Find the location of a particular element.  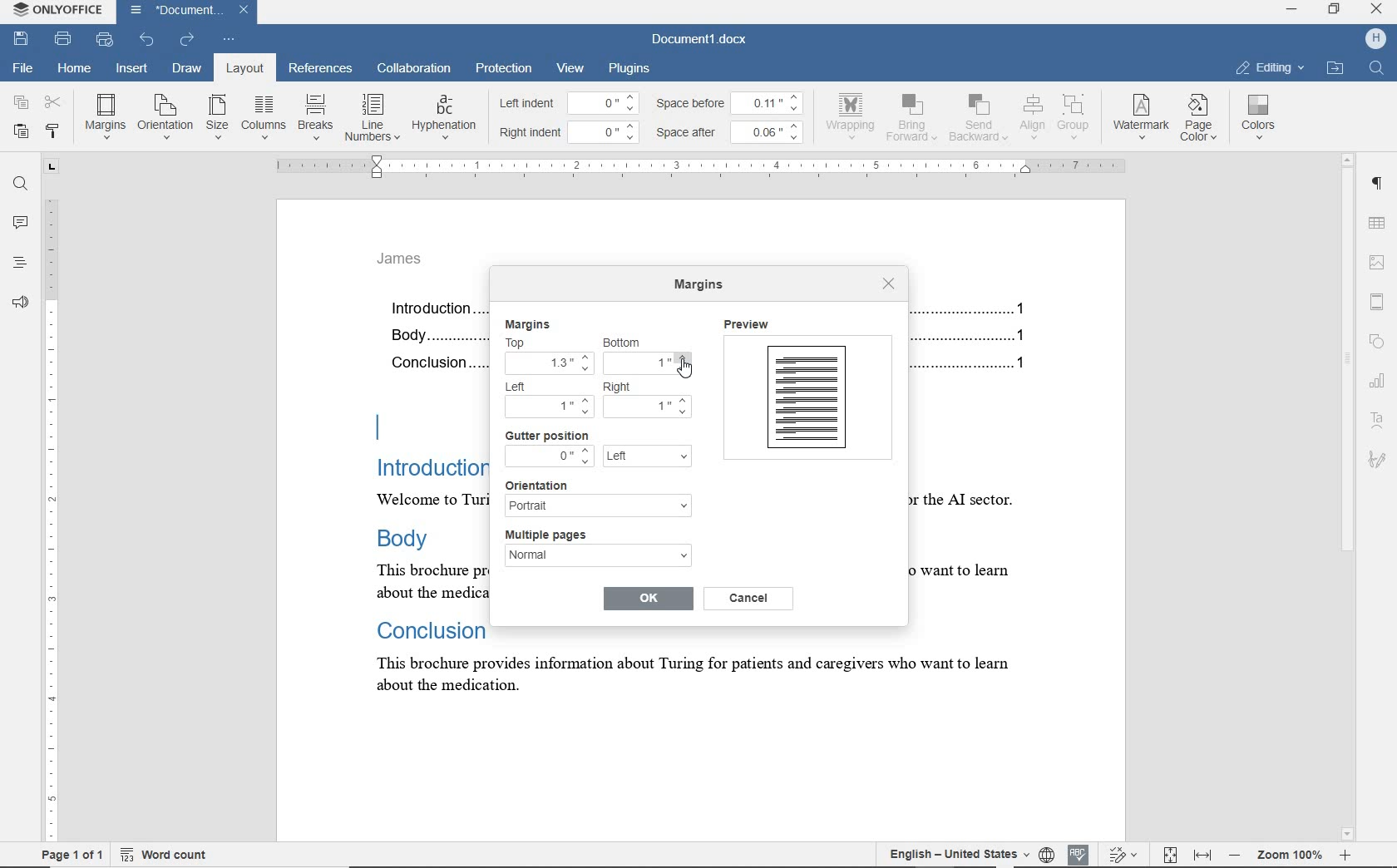

watermark is located at coordinates (1143, 118).